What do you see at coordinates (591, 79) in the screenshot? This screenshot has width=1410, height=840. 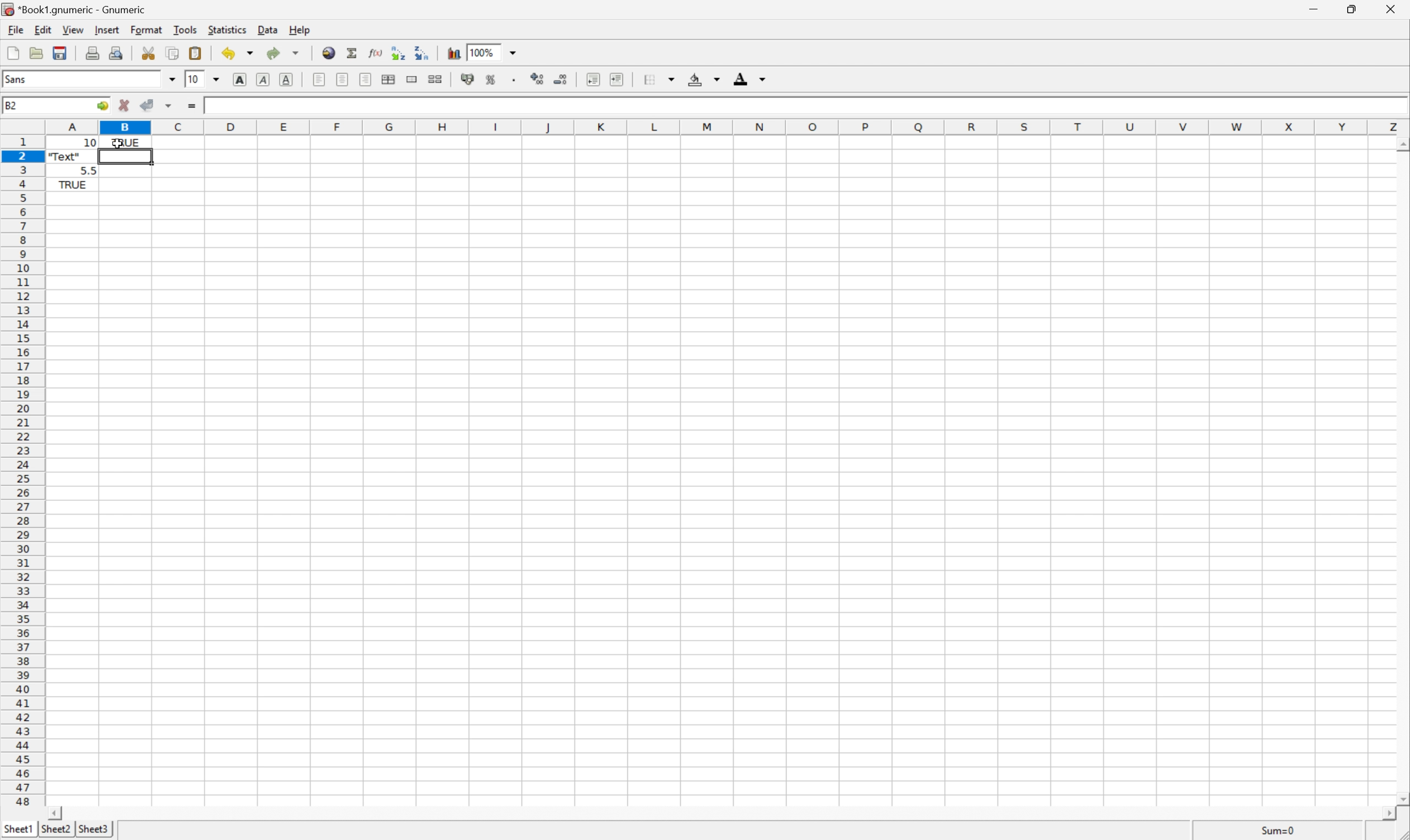 I see `Decrease indent, and align the contents to the left` at bounding box center [591, 79].